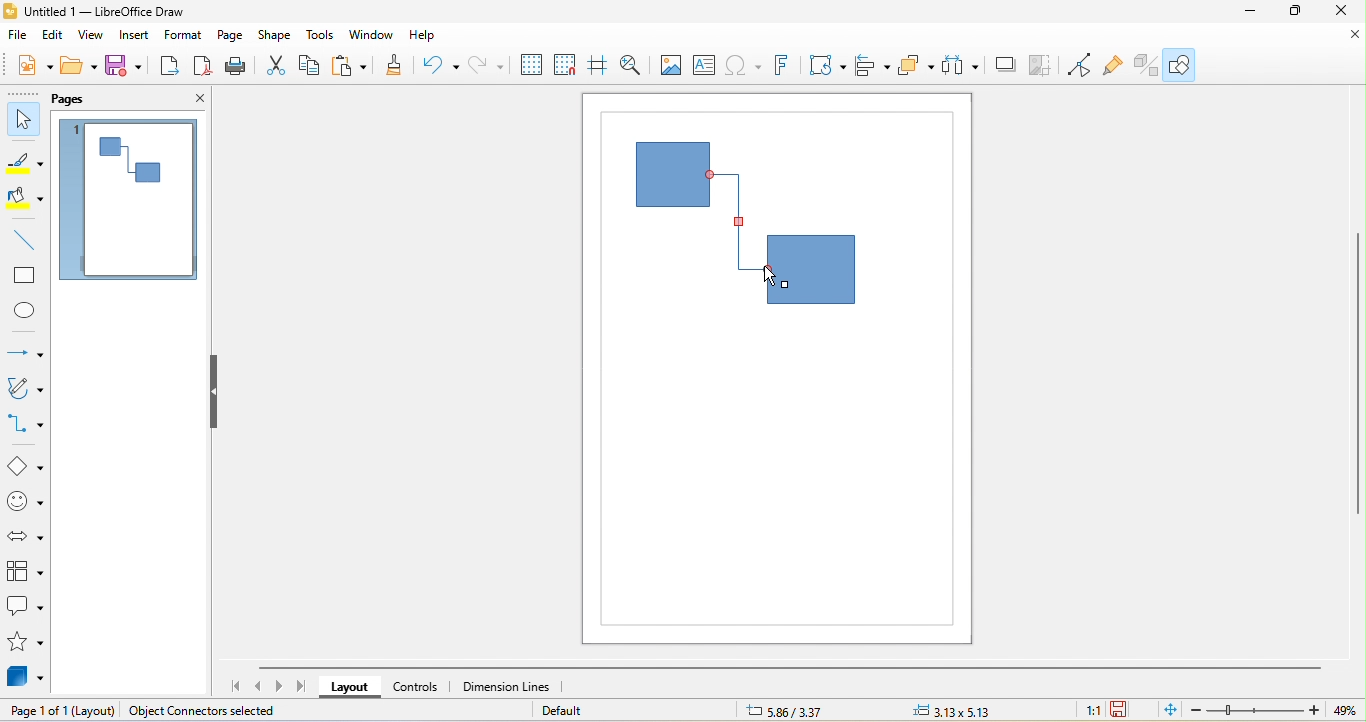 The width and height of the screenshot is (1366, 722). I want to click on controls, so click(417, 689).